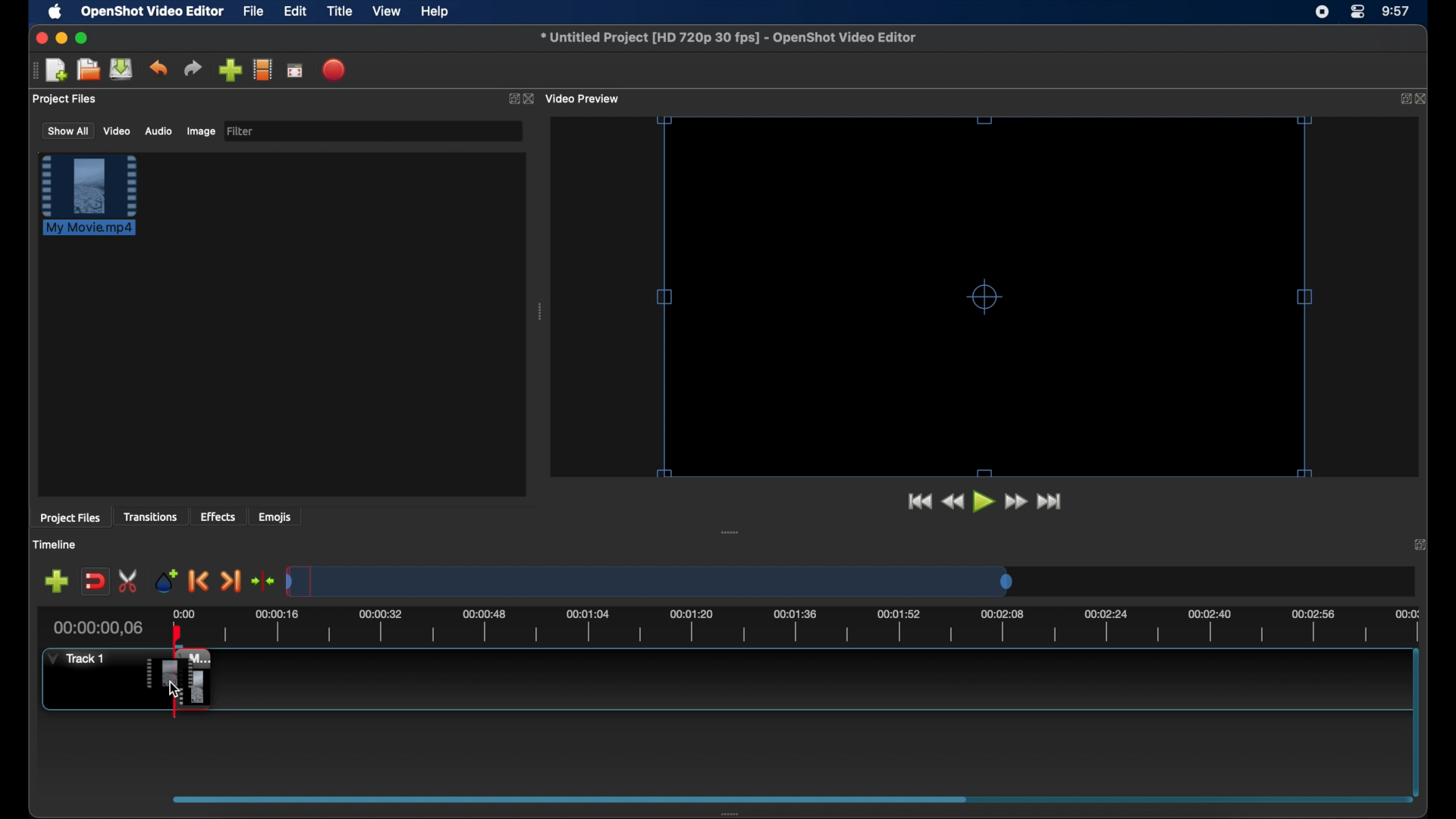  I want to click on previous marker, so click(199, 581).